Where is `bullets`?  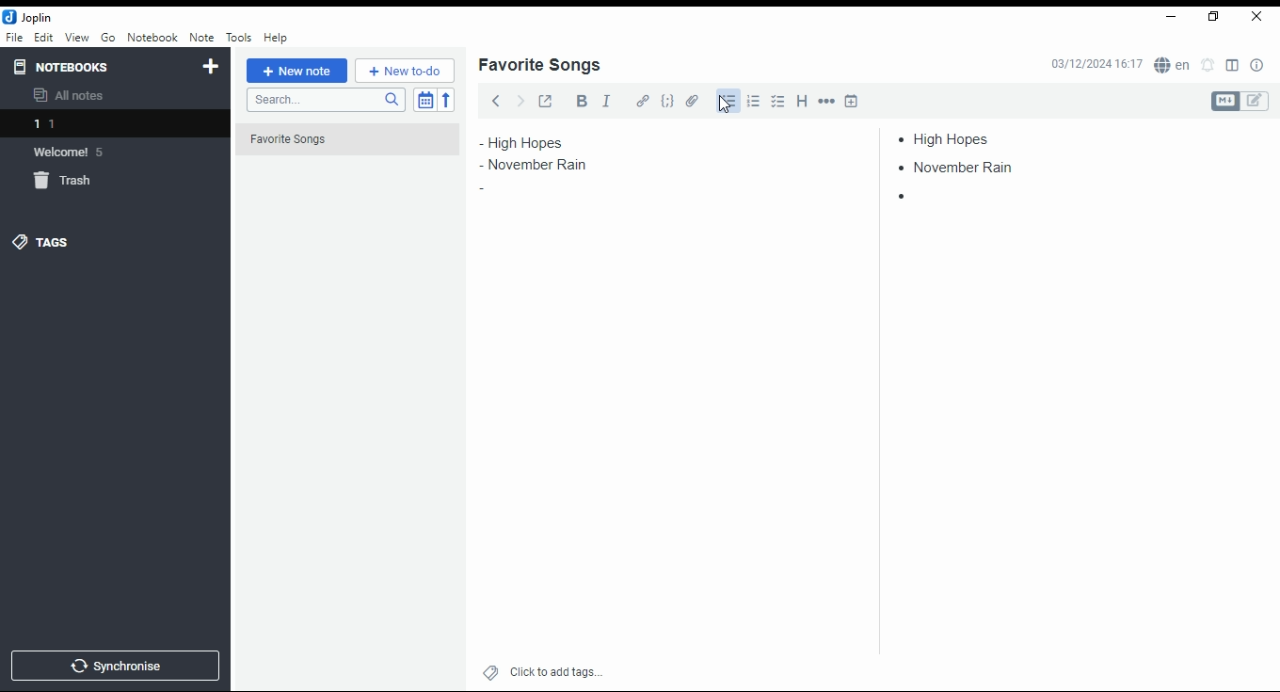 bullets is located at coordinates (726, 101).